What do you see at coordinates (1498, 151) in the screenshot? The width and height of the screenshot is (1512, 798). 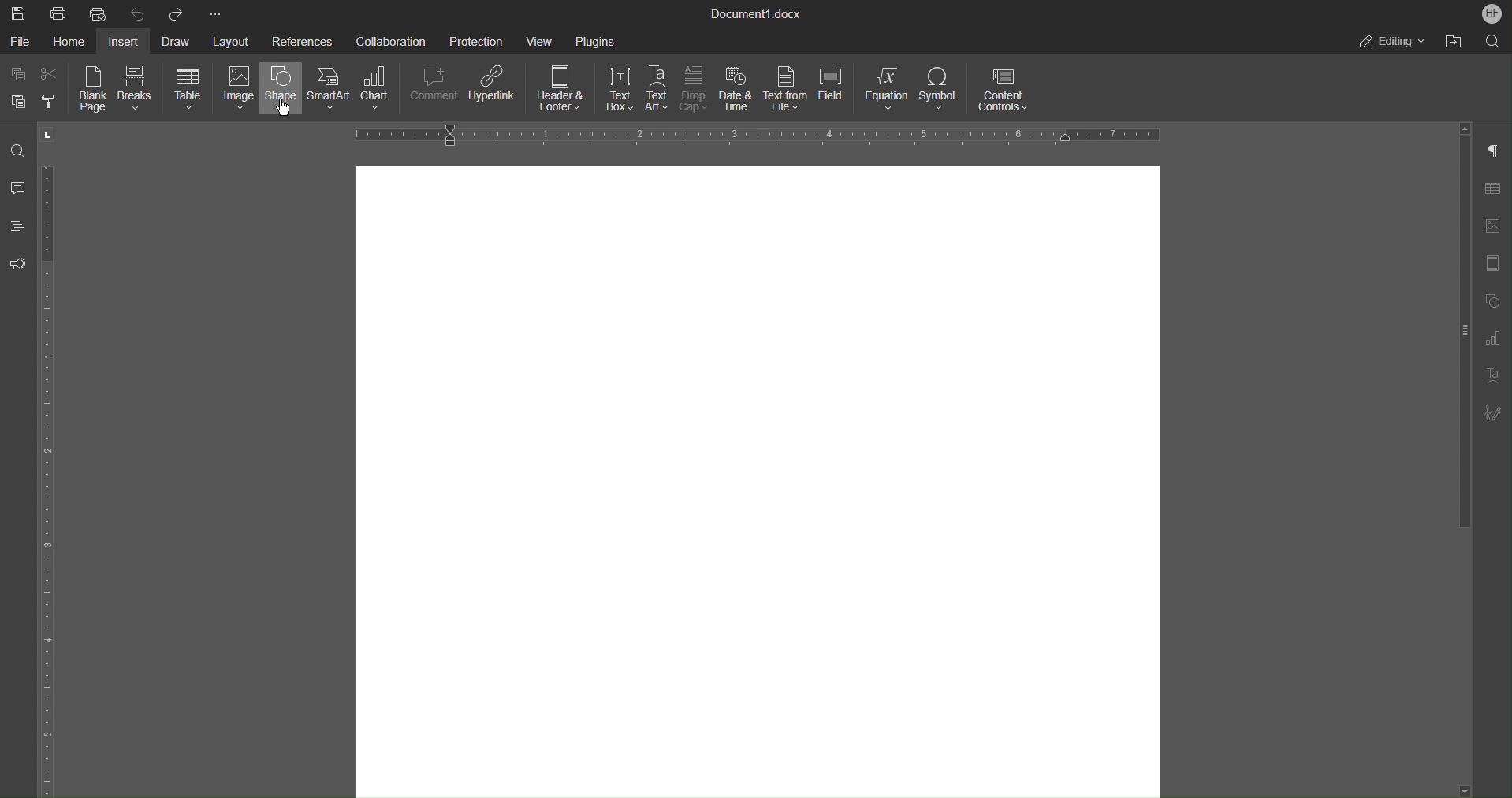 I see `Paragraph Settings` at bounding box center [1498, 151].